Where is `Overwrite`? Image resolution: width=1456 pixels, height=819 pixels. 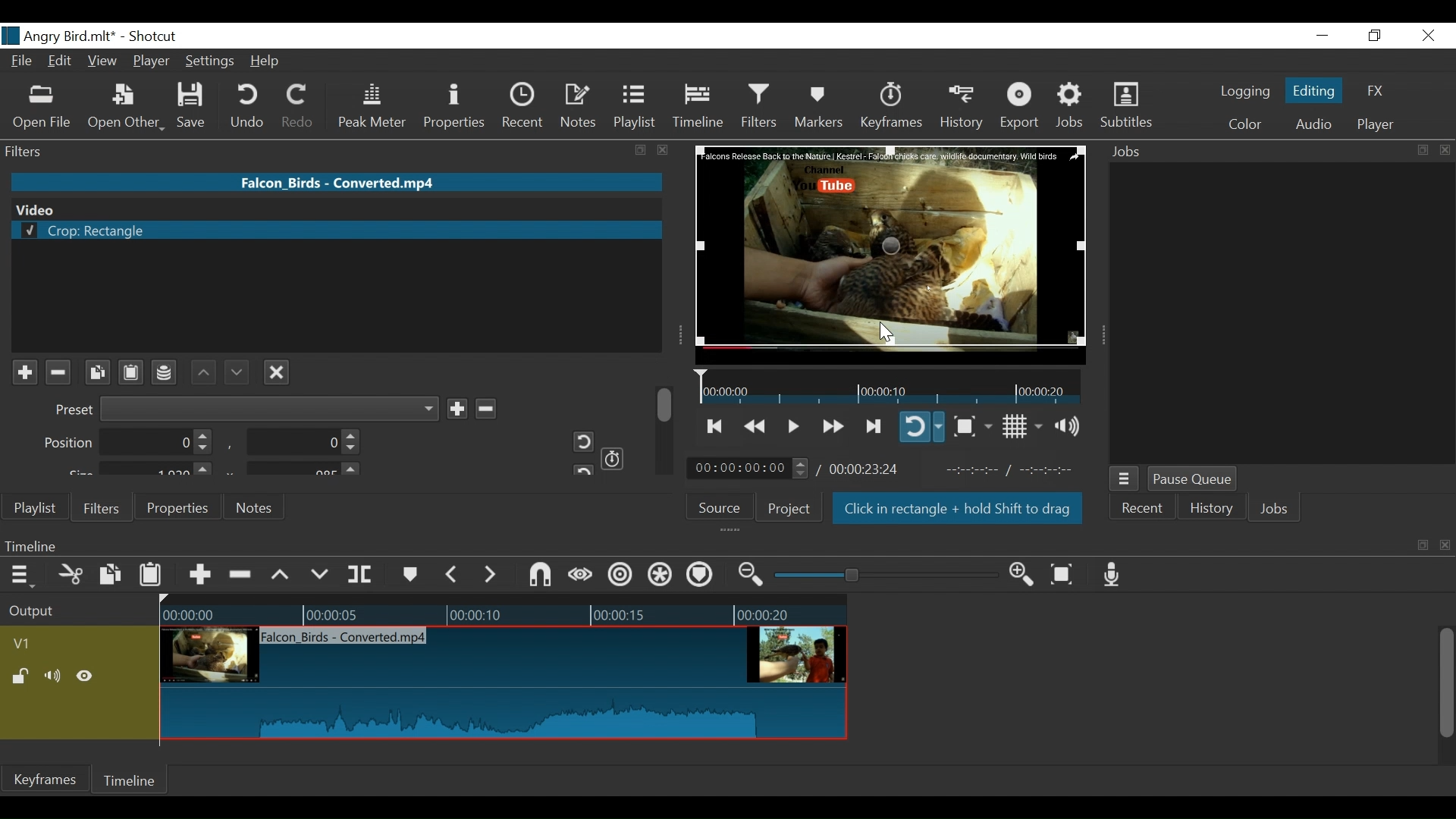 Overwrite is located at coordinates (320, 575).